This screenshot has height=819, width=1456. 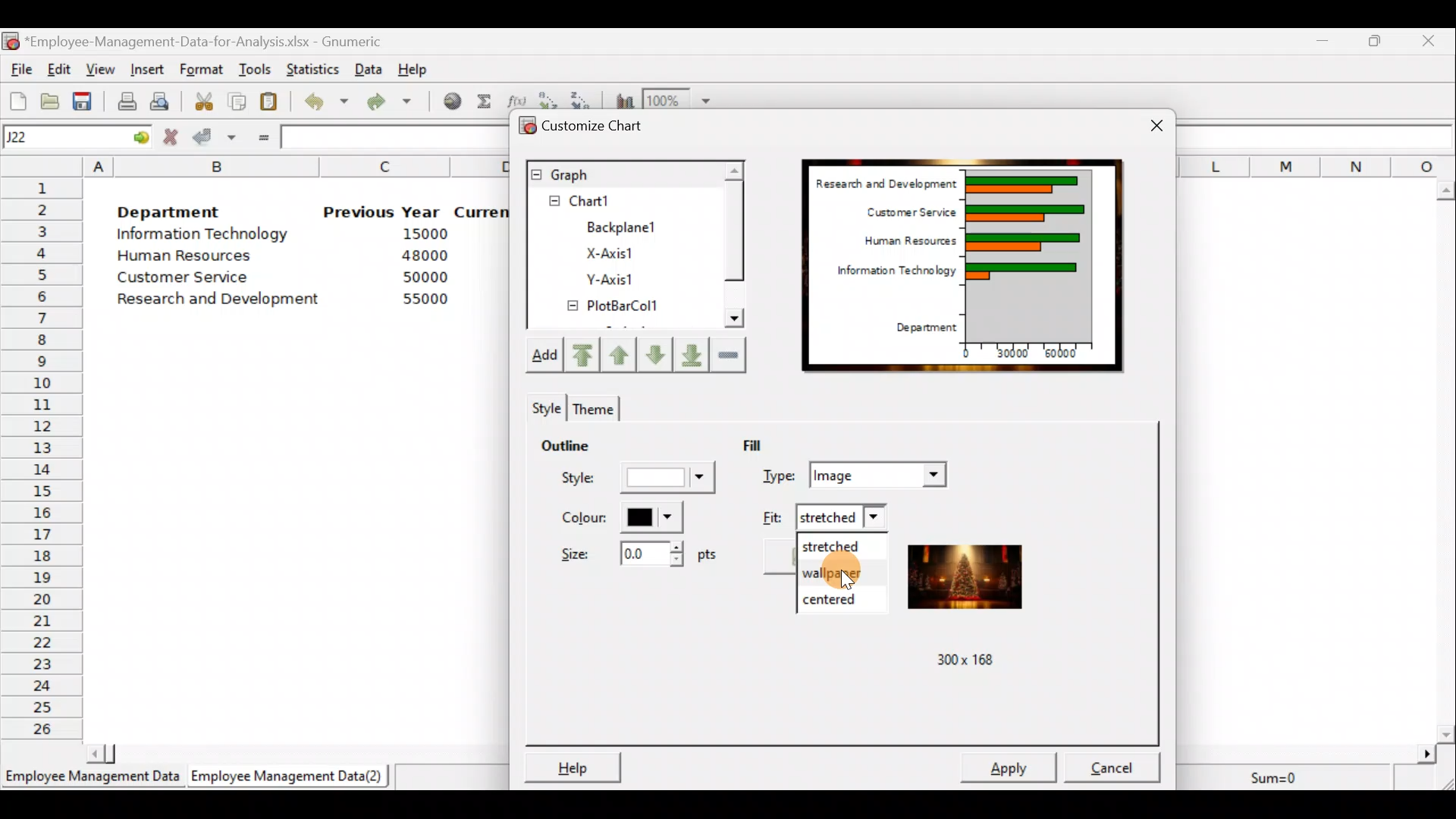 I want to click on Print current file, so click(x=124, y=99).